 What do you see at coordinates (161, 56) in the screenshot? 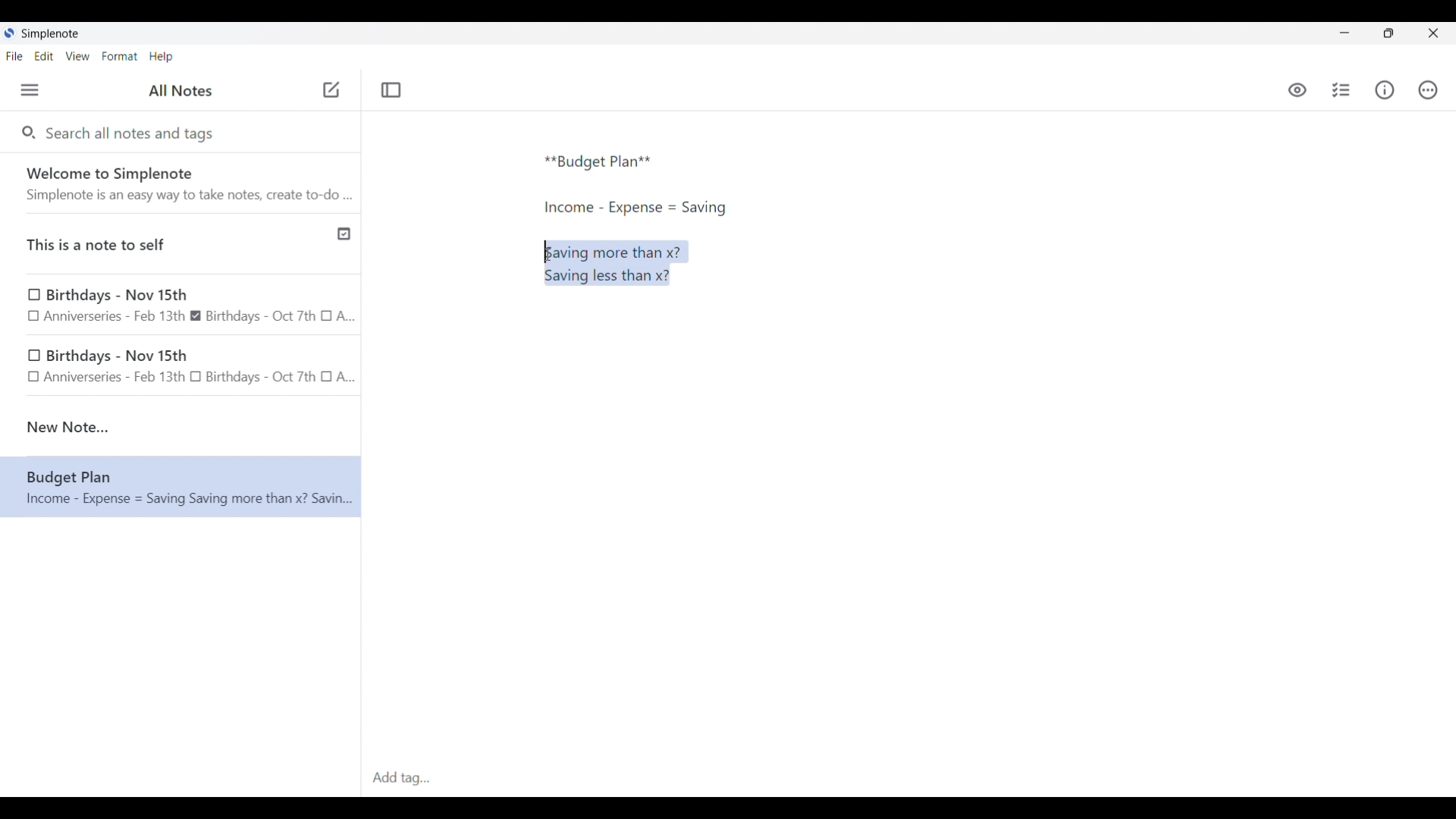
I see `Help menu` at bounding box center [161, 56].